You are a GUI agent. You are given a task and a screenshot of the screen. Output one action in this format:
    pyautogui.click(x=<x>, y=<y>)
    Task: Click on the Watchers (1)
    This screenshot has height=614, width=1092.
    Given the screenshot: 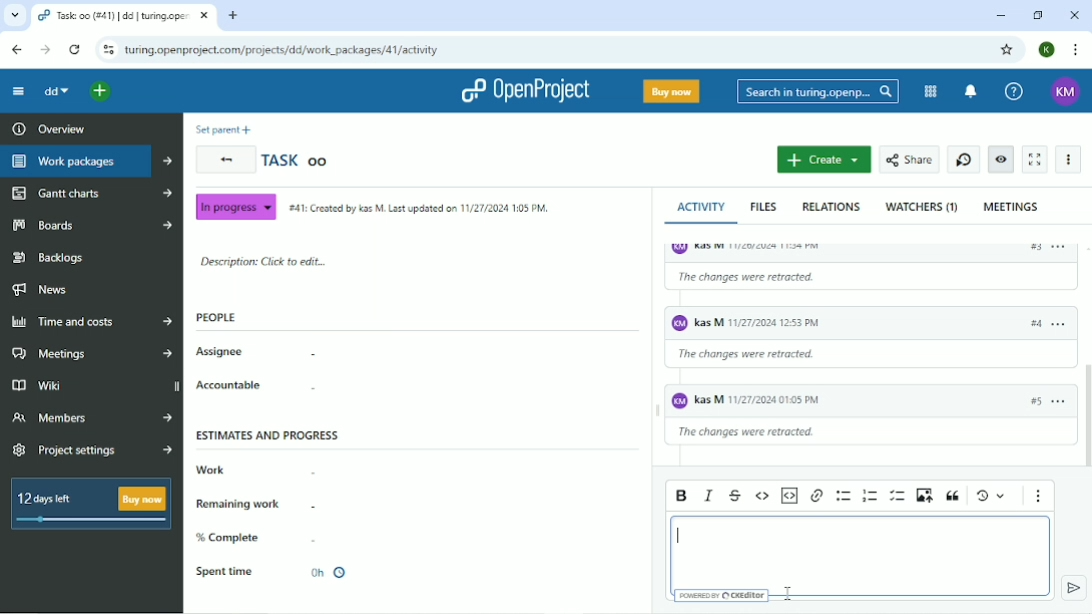 What is the action you would take?
    pyautogui.click(x=921, y=208)
    